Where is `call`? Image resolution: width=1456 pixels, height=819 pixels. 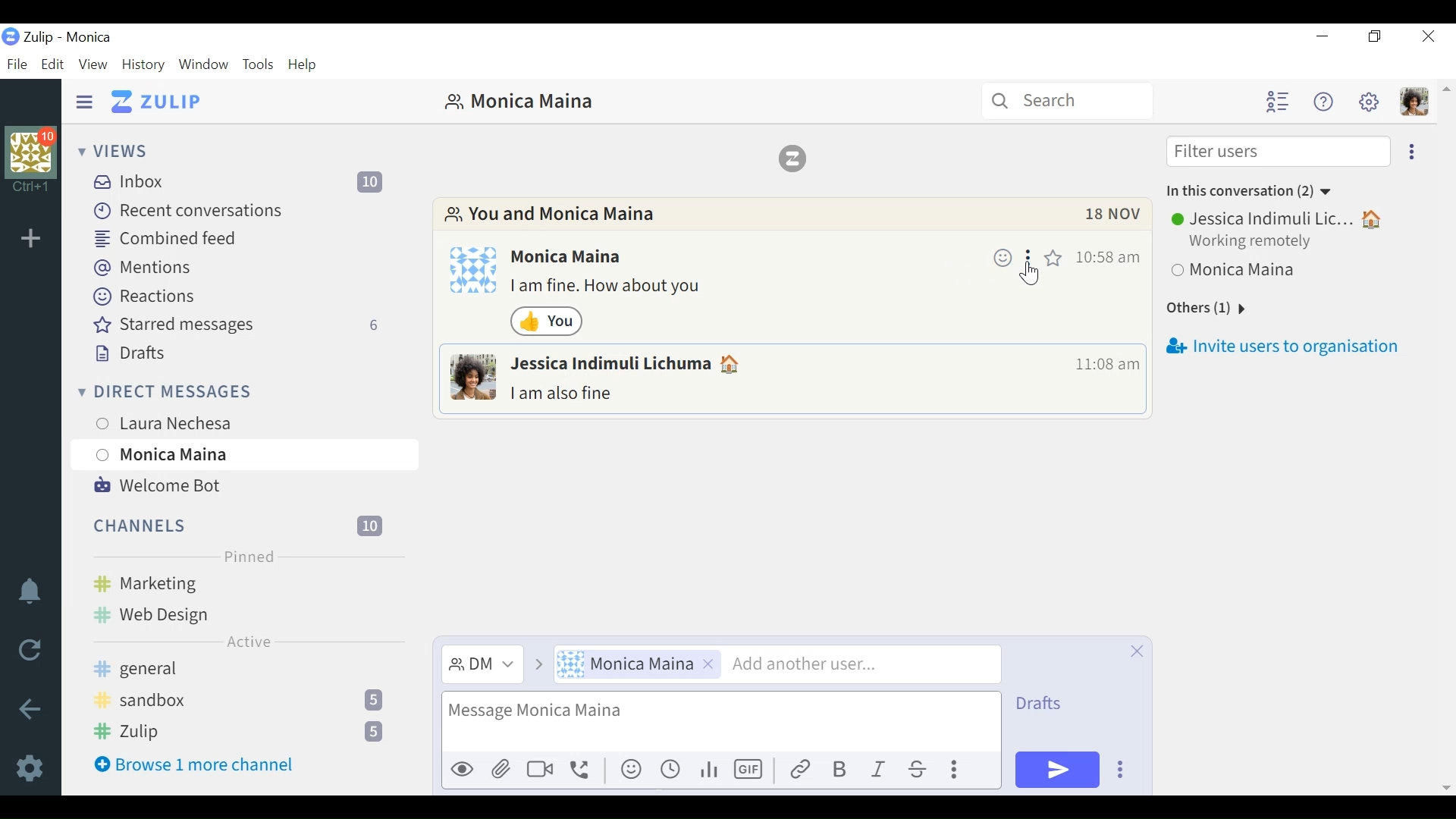 call is located at coordinates (584, 772).